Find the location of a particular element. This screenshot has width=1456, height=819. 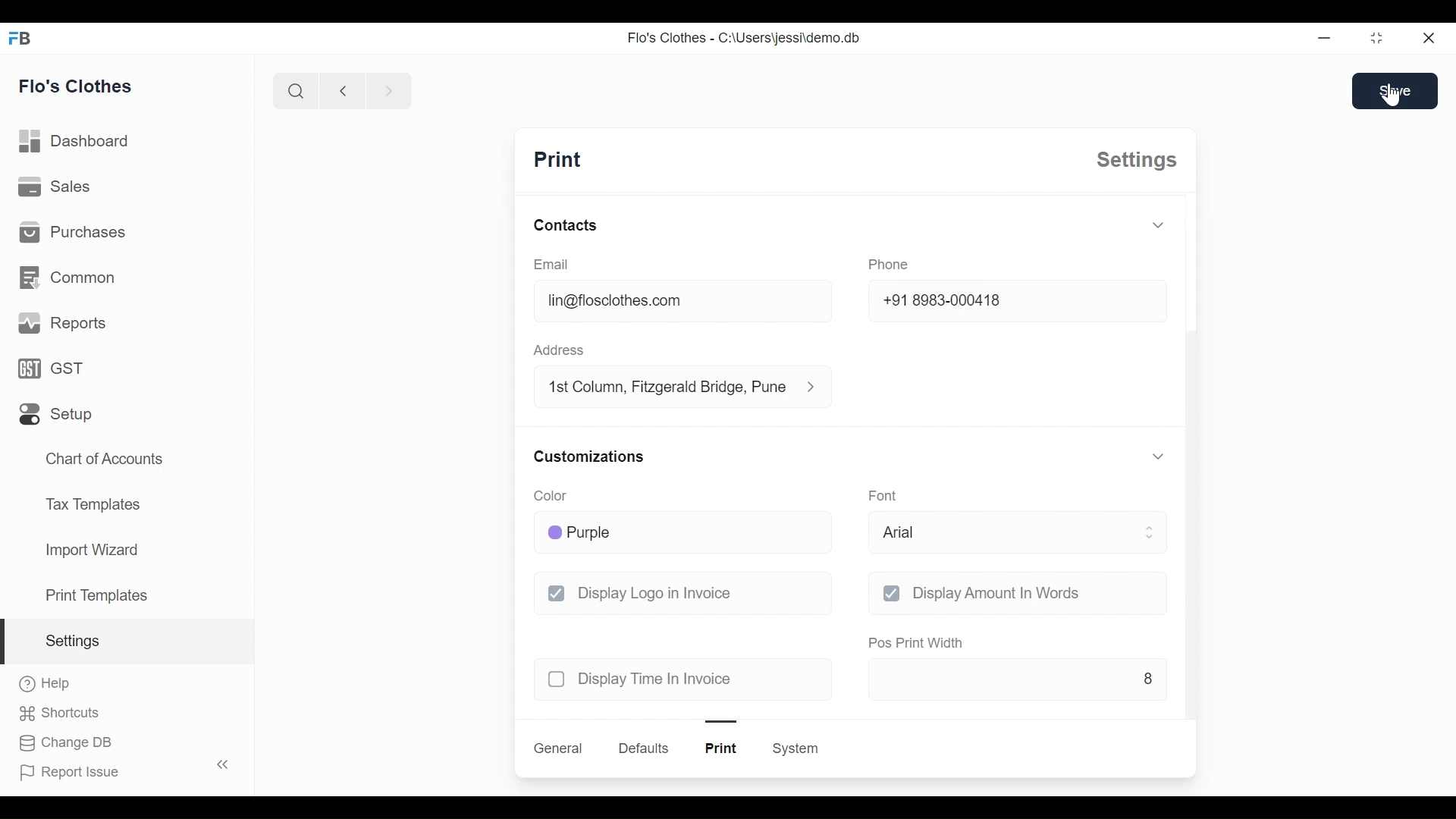

checkbox is located at coordinates (557, 593).